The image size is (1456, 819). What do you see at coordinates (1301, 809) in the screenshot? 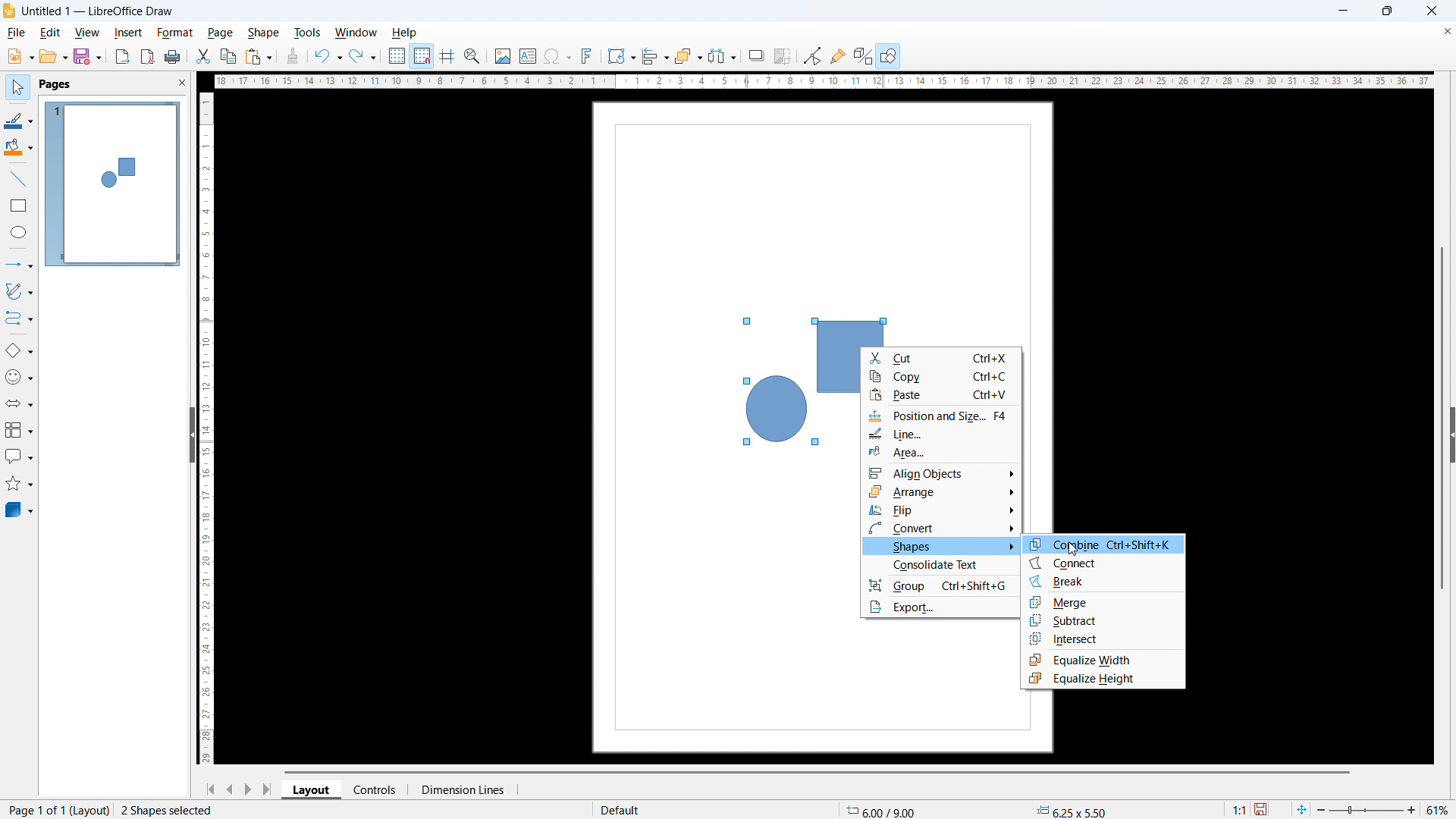
I see `fit to page` at bounding box center [1301, 809].